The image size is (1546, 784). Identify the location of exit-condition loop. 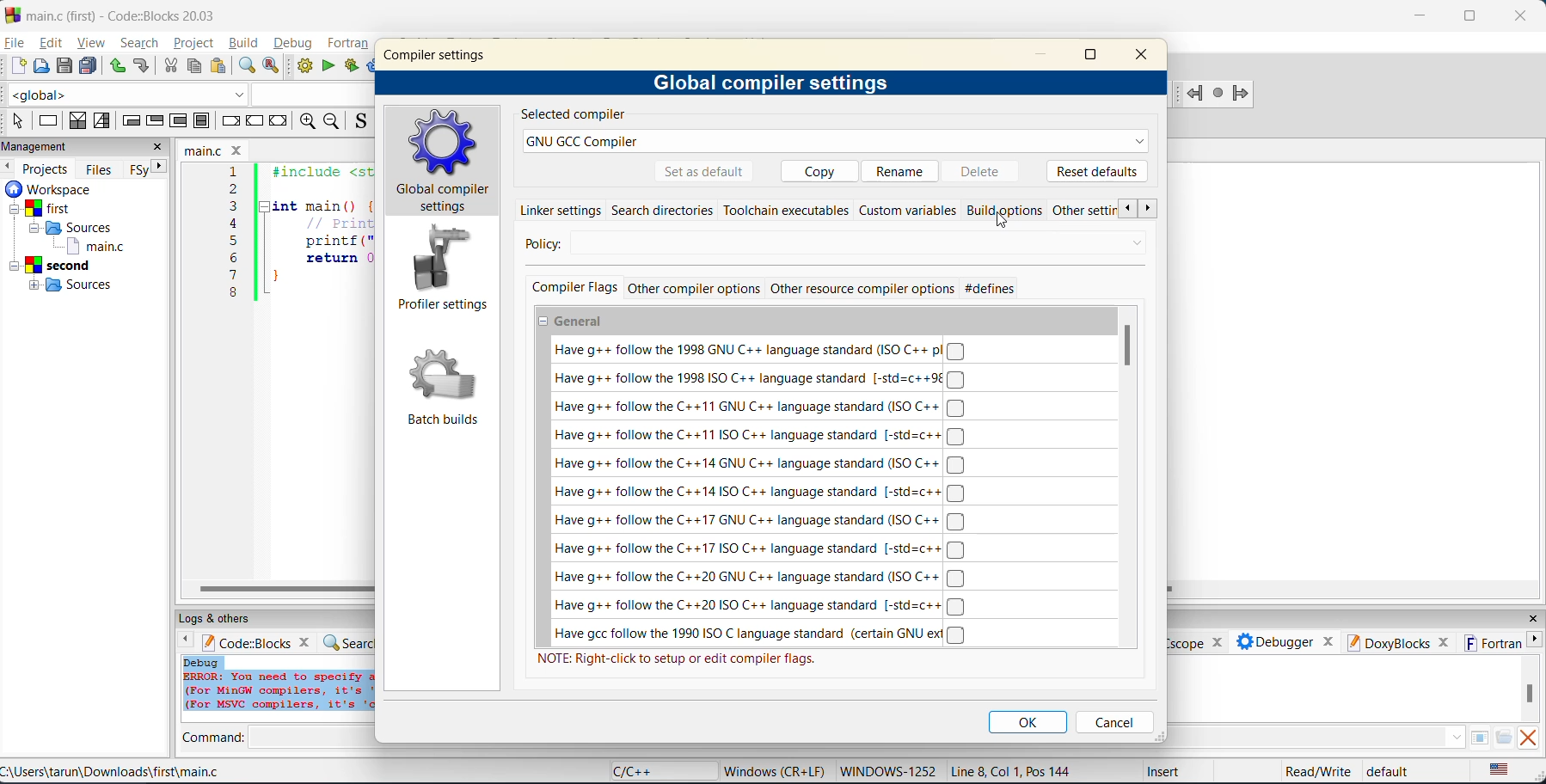
(157, 120).